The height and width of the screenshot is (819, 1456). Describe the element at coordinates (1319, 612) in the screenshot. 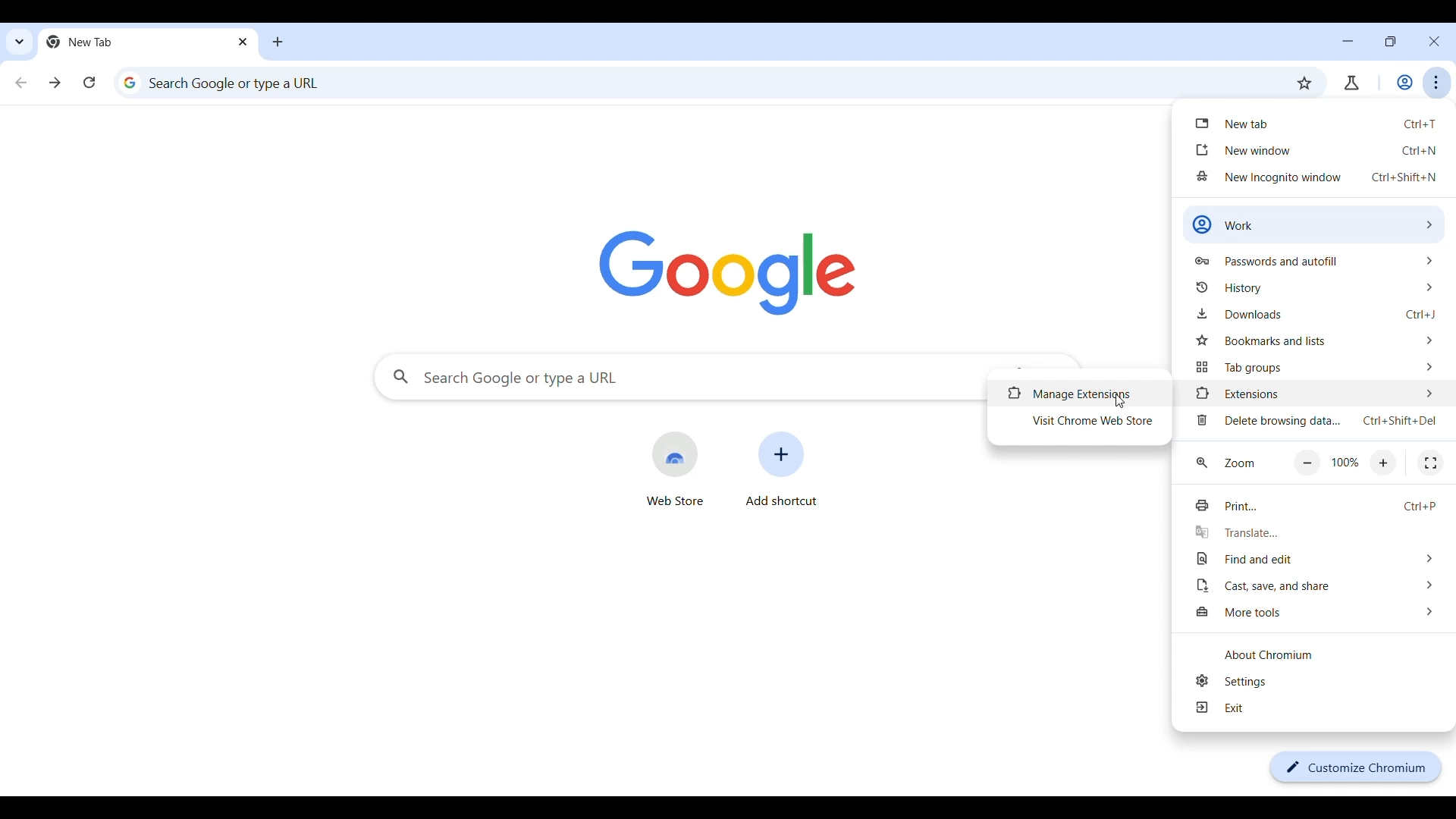

I see `More tool options` at that location.